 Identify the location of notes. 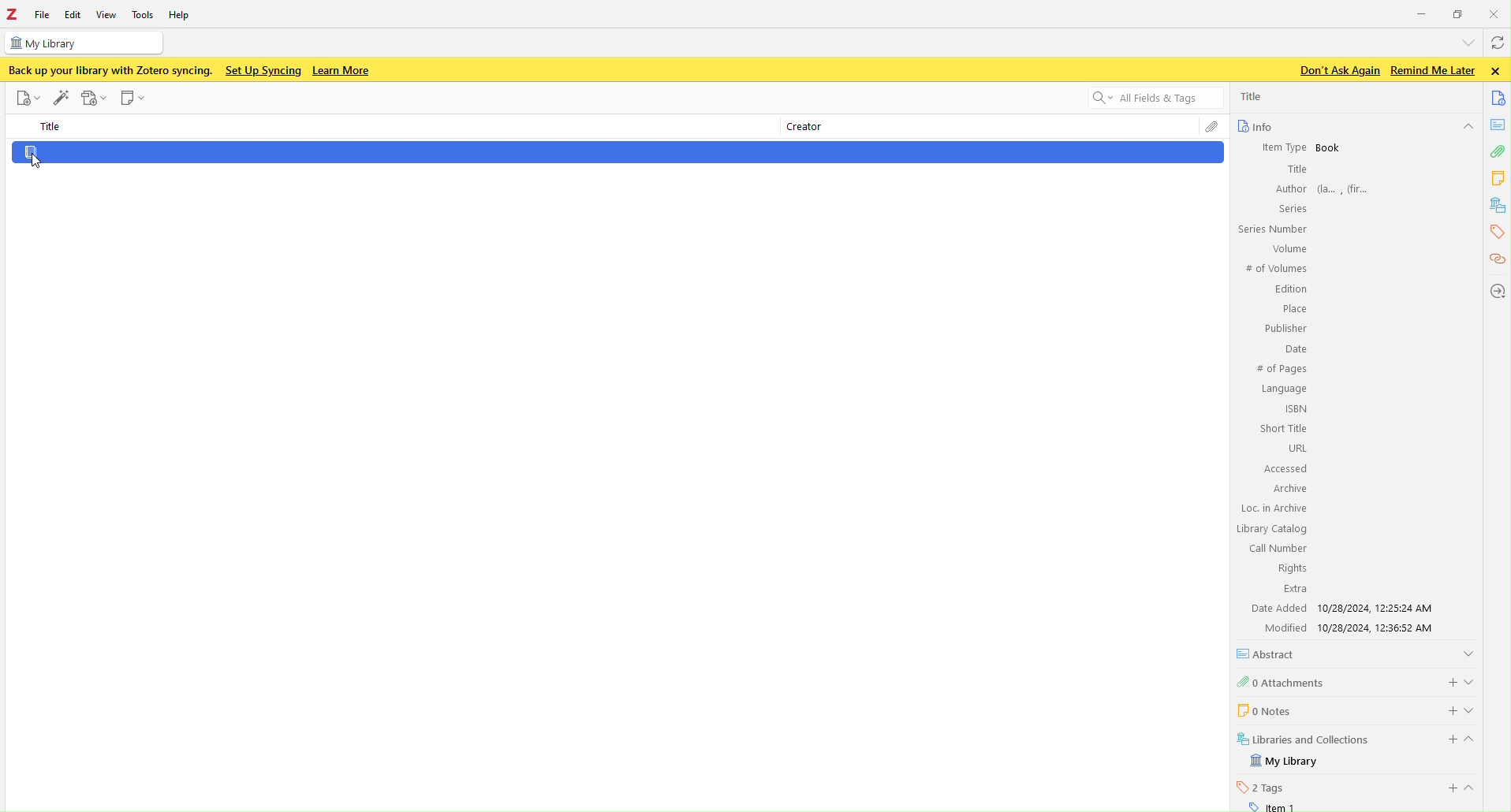
(1356, 709).